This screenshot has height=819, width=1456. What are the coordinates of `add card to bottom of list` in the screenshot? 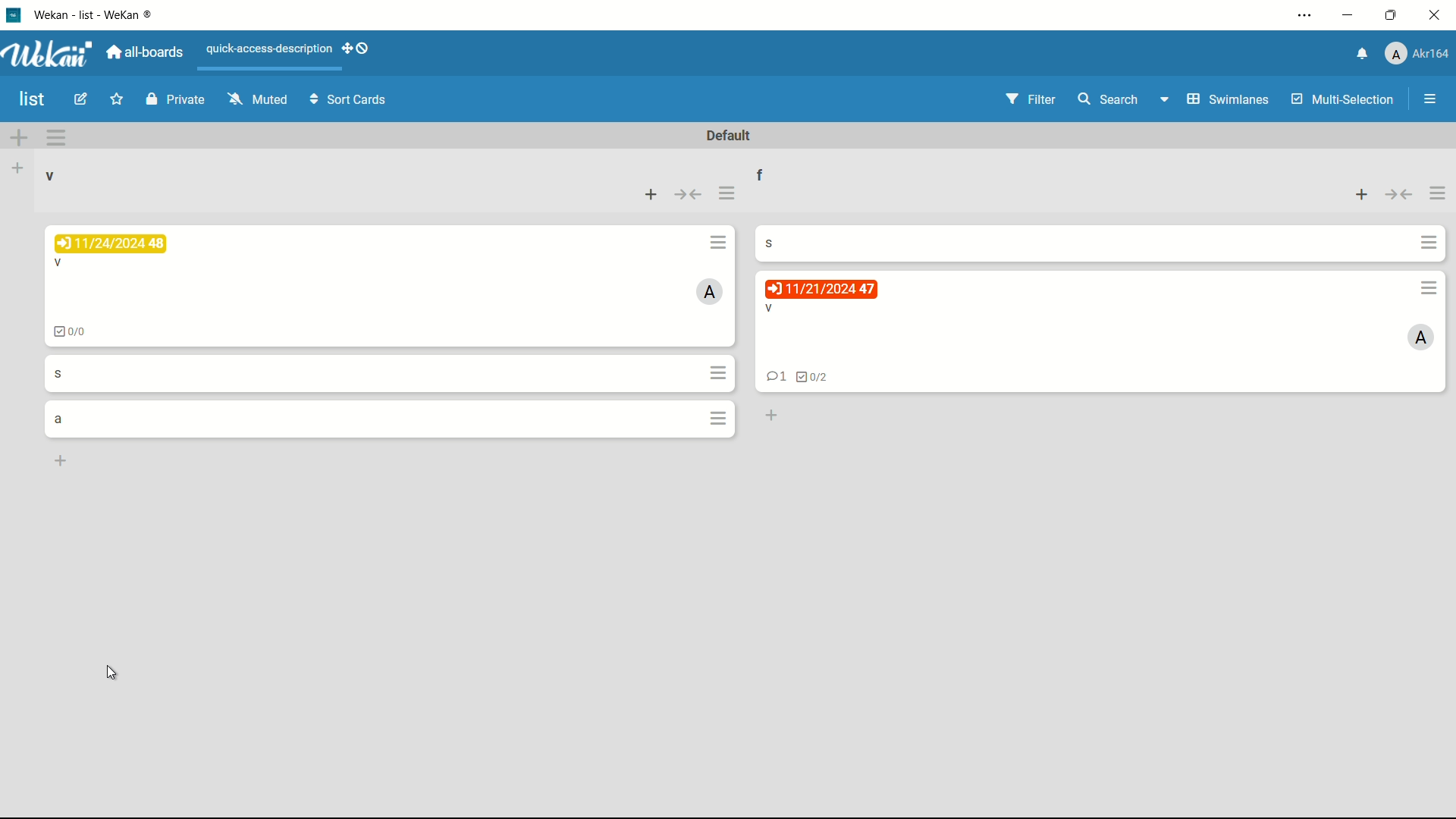 It's located at (61, 460).